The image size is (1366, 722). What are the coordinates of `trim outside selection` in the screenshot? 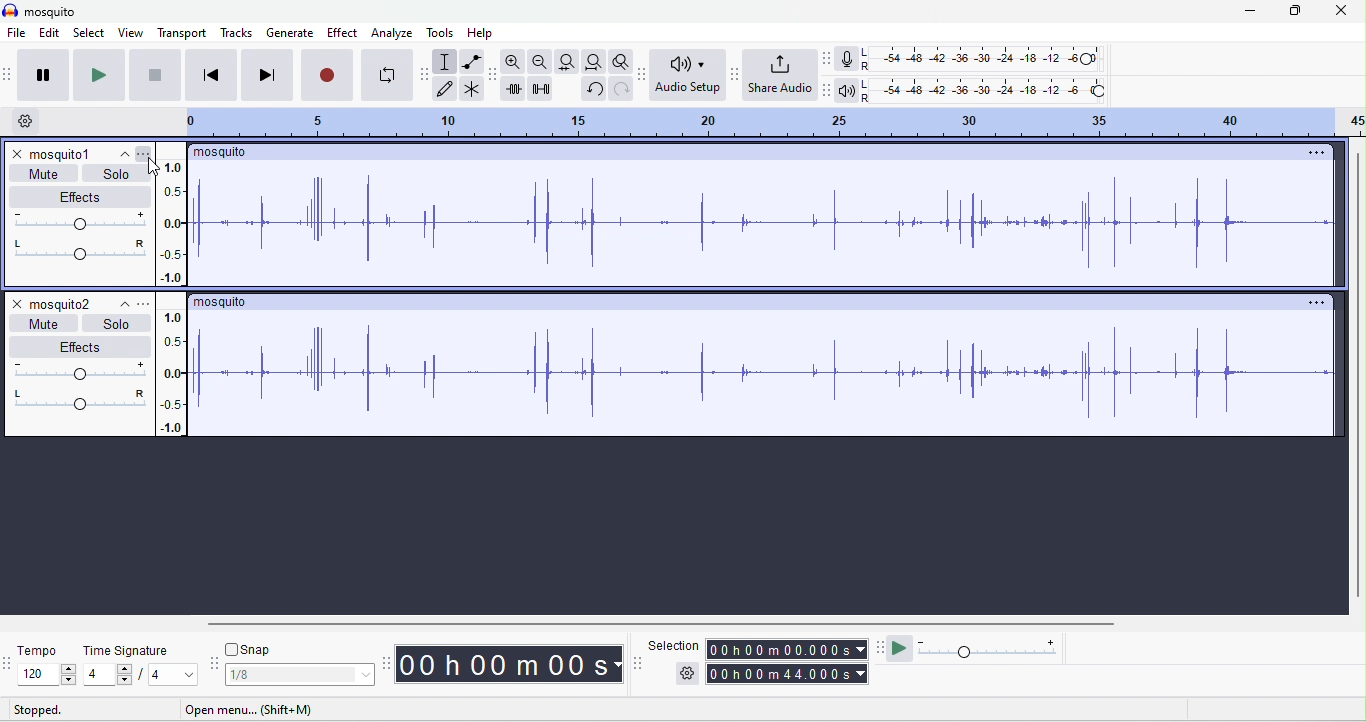 It's located at (512, 88).